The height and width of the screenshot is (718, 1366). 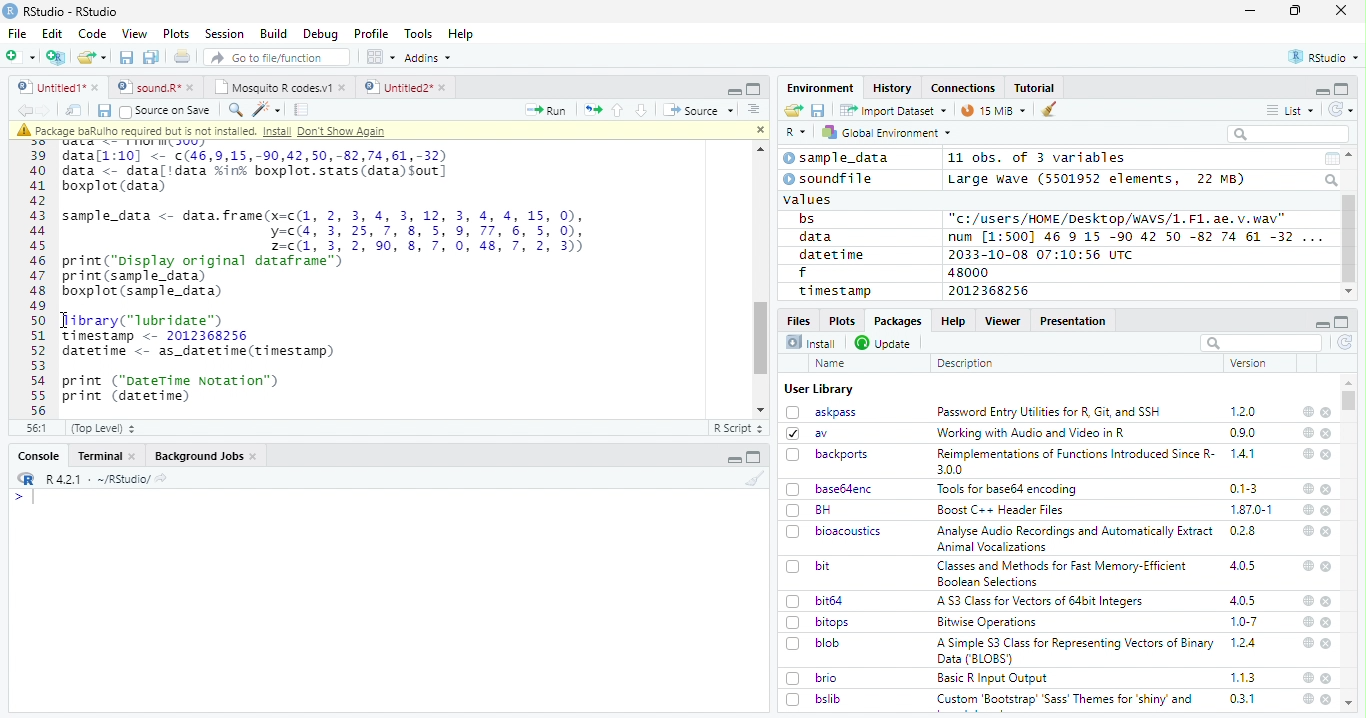 I want to click on 15 MiB, so click(x=994, y=110).